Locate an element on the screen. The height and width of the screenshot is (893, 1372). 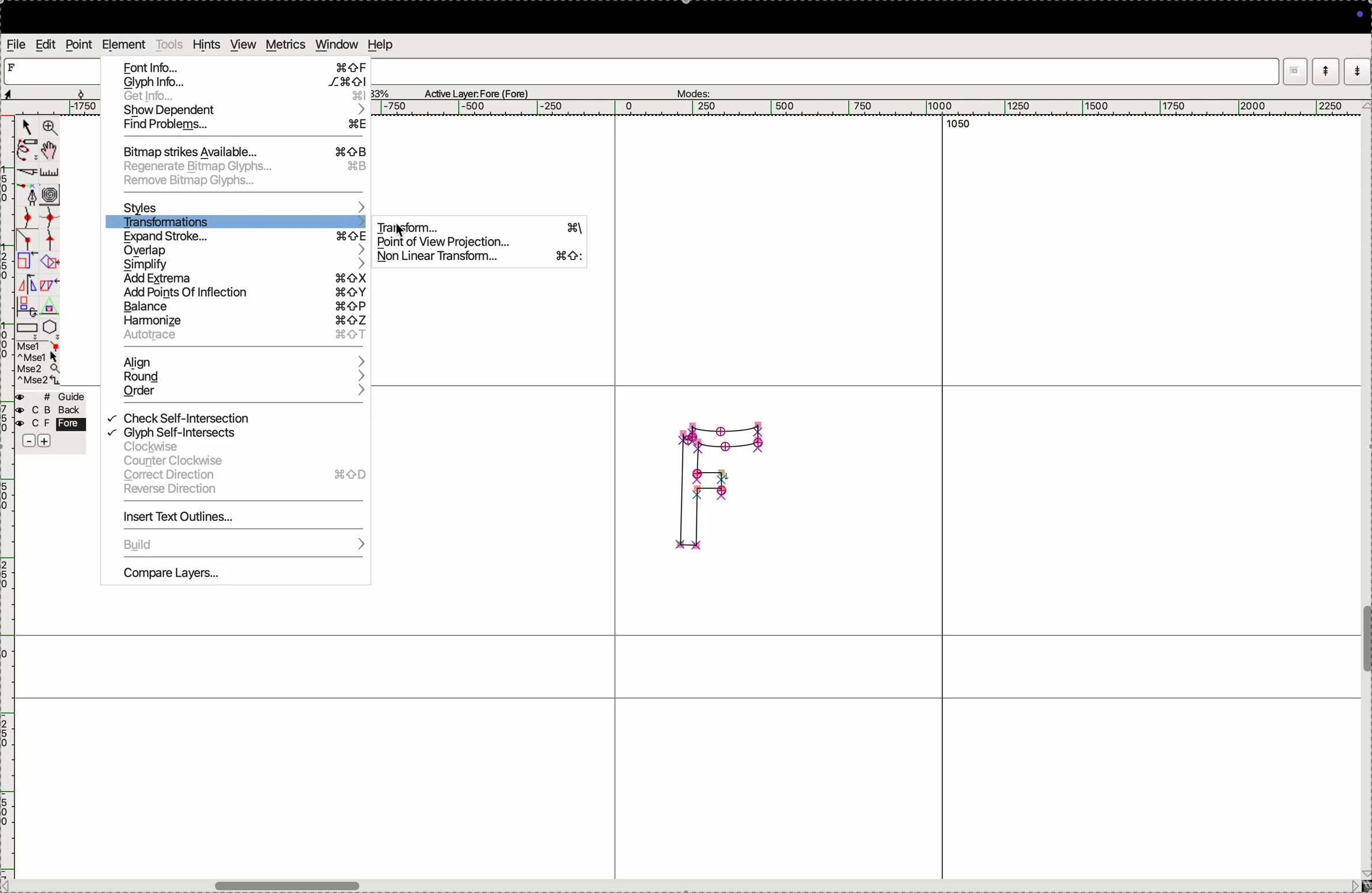
overlap is located at coordinates (51, 262).